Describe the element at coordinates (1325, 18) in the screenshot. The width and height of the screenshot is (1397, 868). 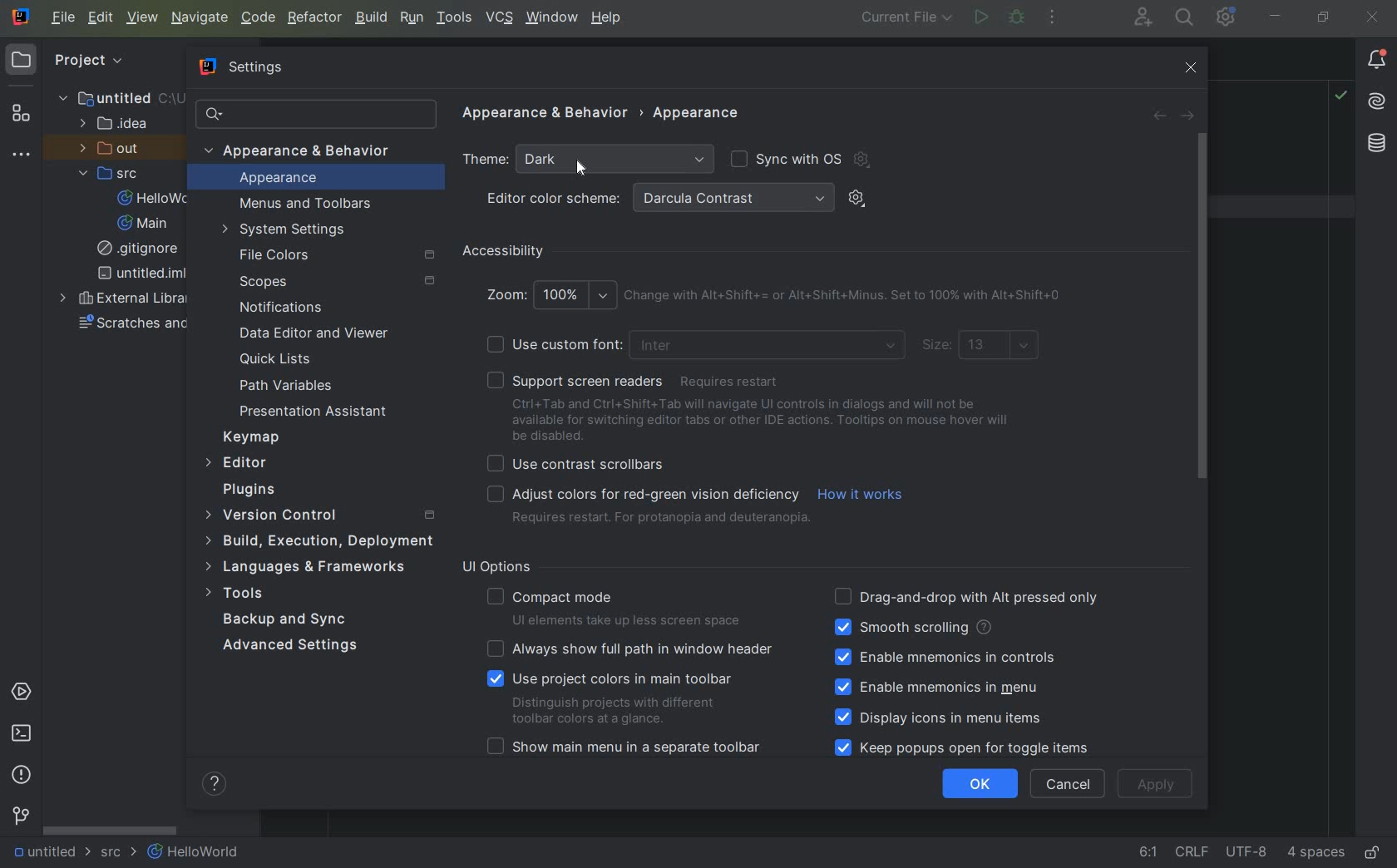
I see `restore` at that location.